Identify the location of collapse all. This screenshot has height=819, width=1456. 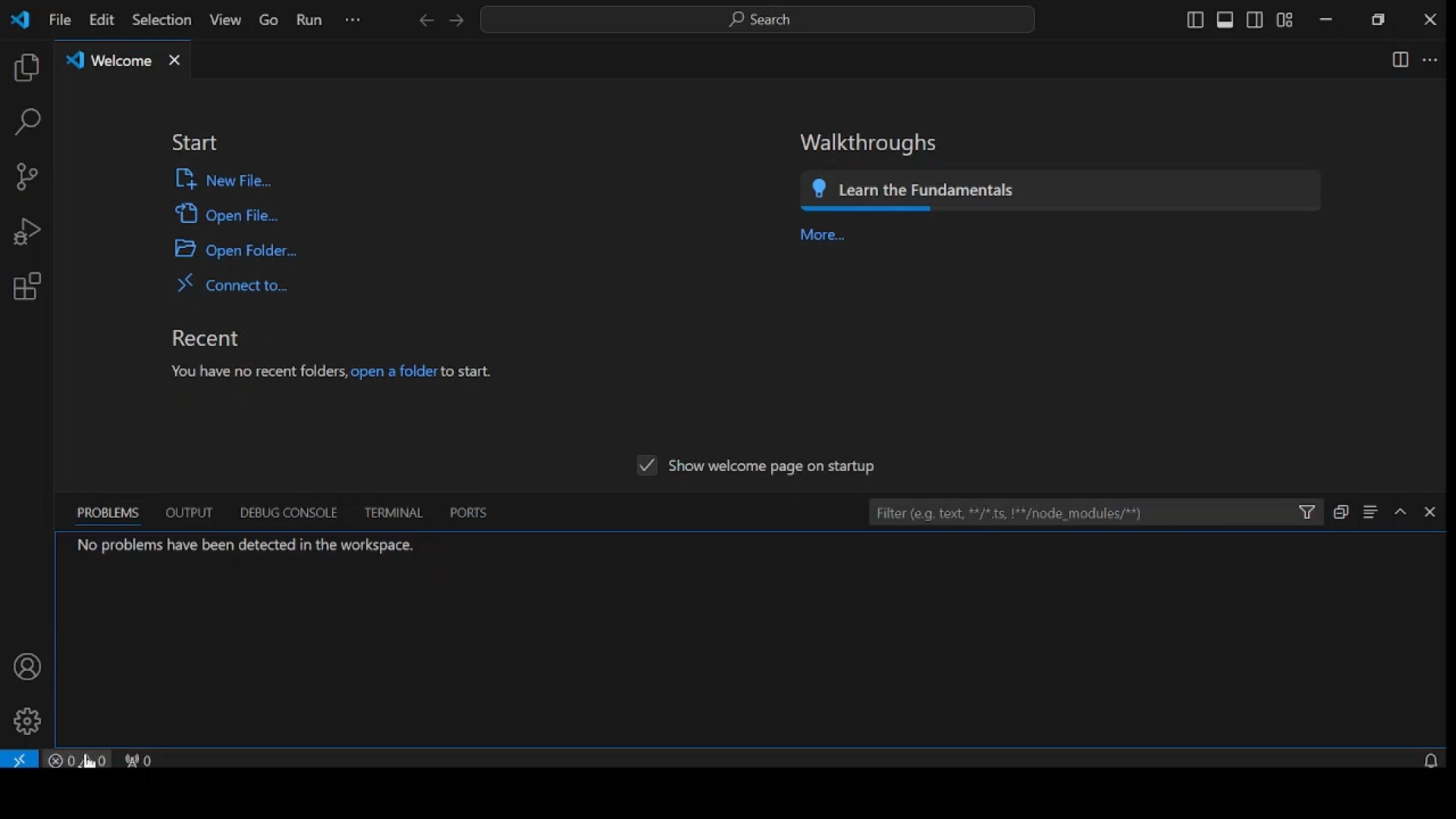
(1339, 511).